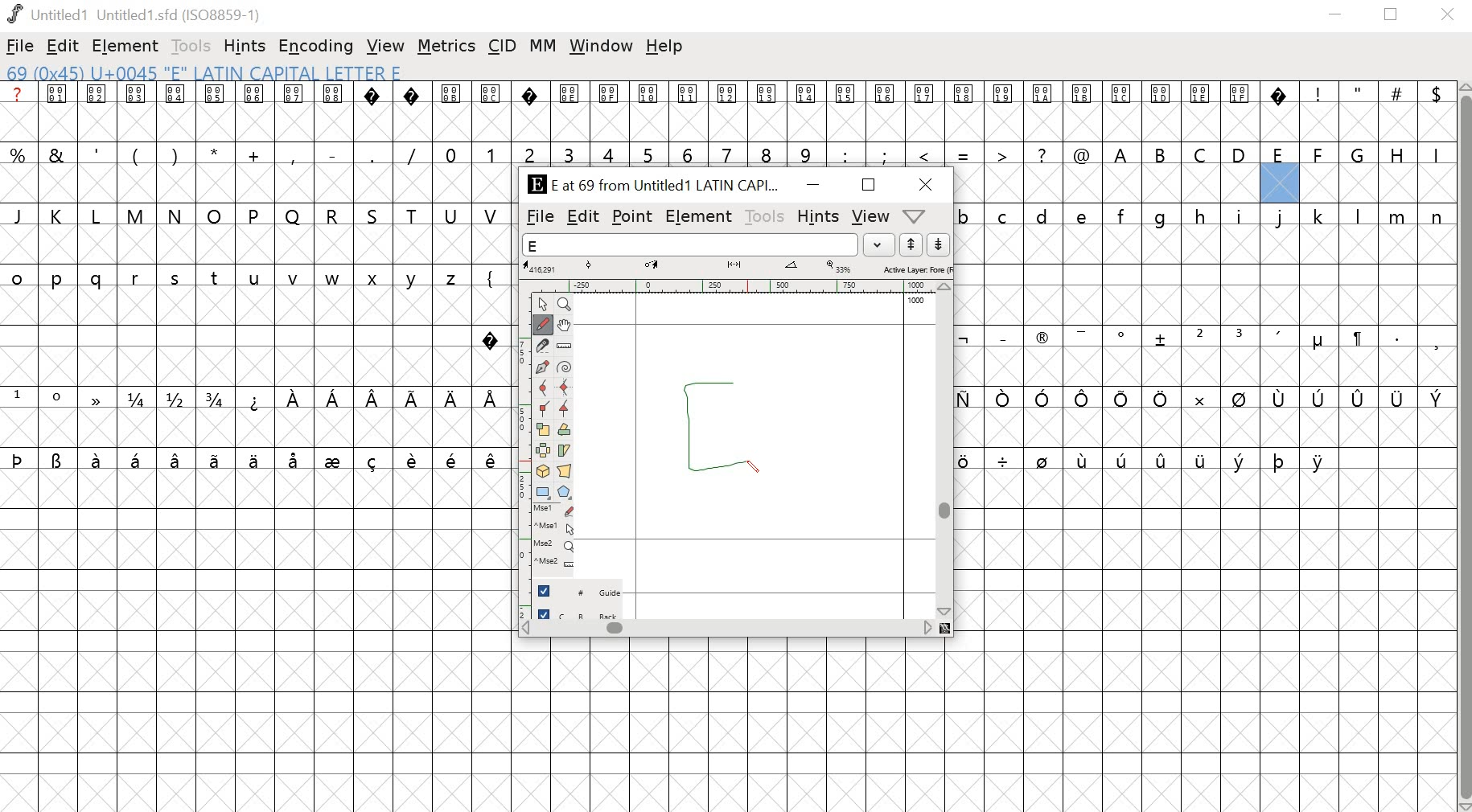 Image resolution: width=1472 pixels, height=812 pixels. Describe the element at coordinates (316, 47) in the screenshot. I see `encoding` at that location.